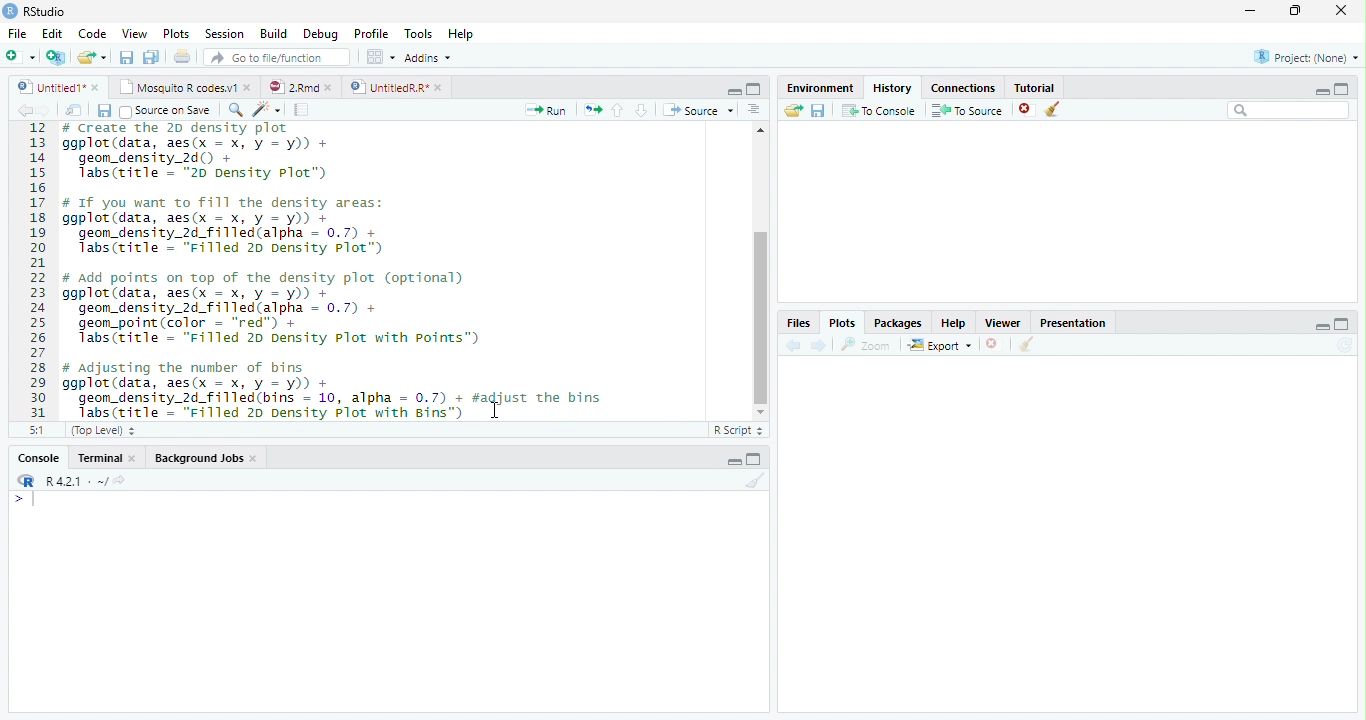 The width and height of the screenshot is (1366, 720). I want to click on clear, so click(1053, 110).